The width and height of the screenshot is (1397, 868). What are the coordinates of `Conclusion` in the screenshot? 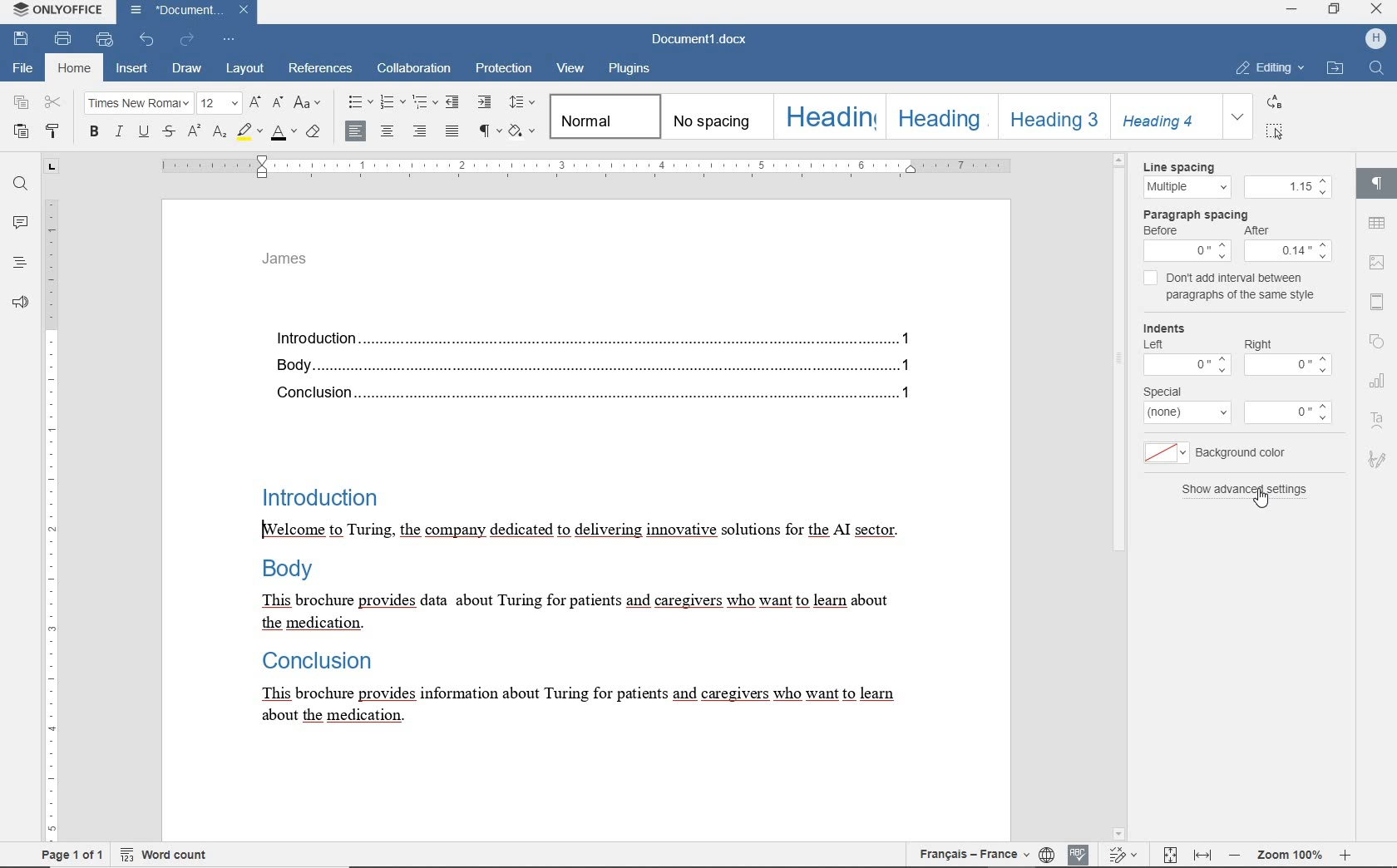 It's located at (605, 393).